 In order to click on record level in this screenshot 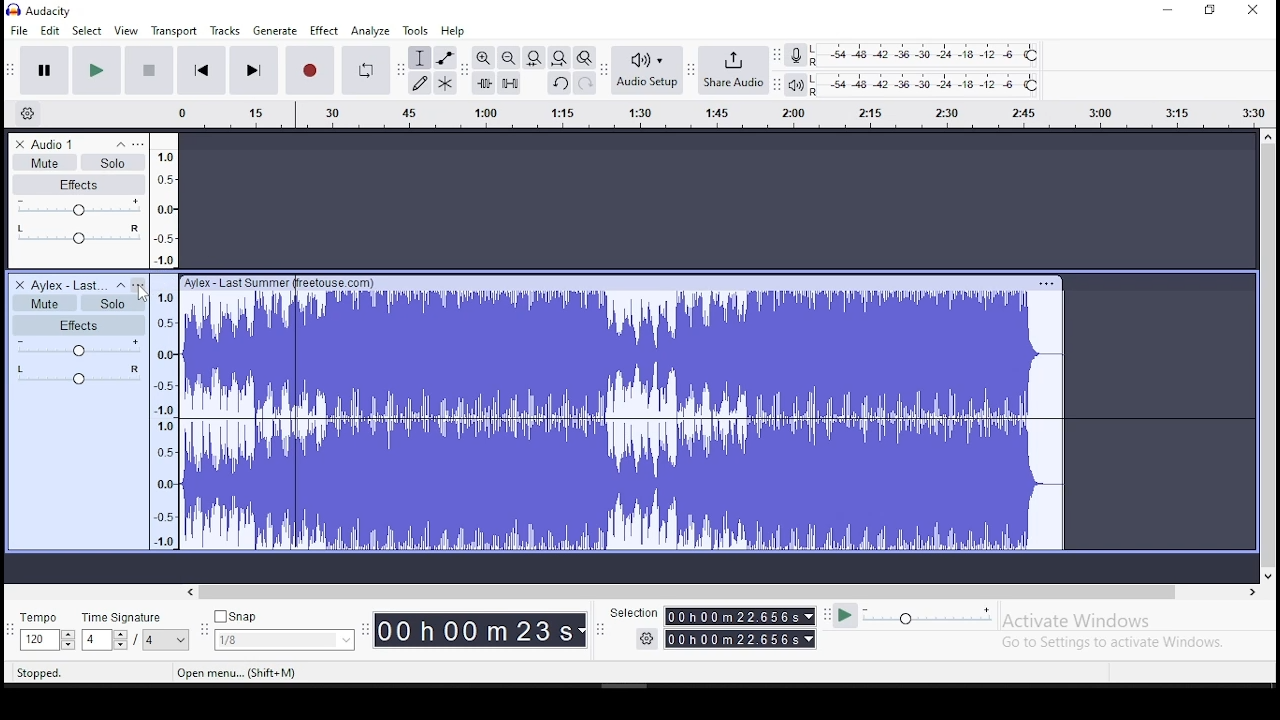, I will do `click(940, 54)`.